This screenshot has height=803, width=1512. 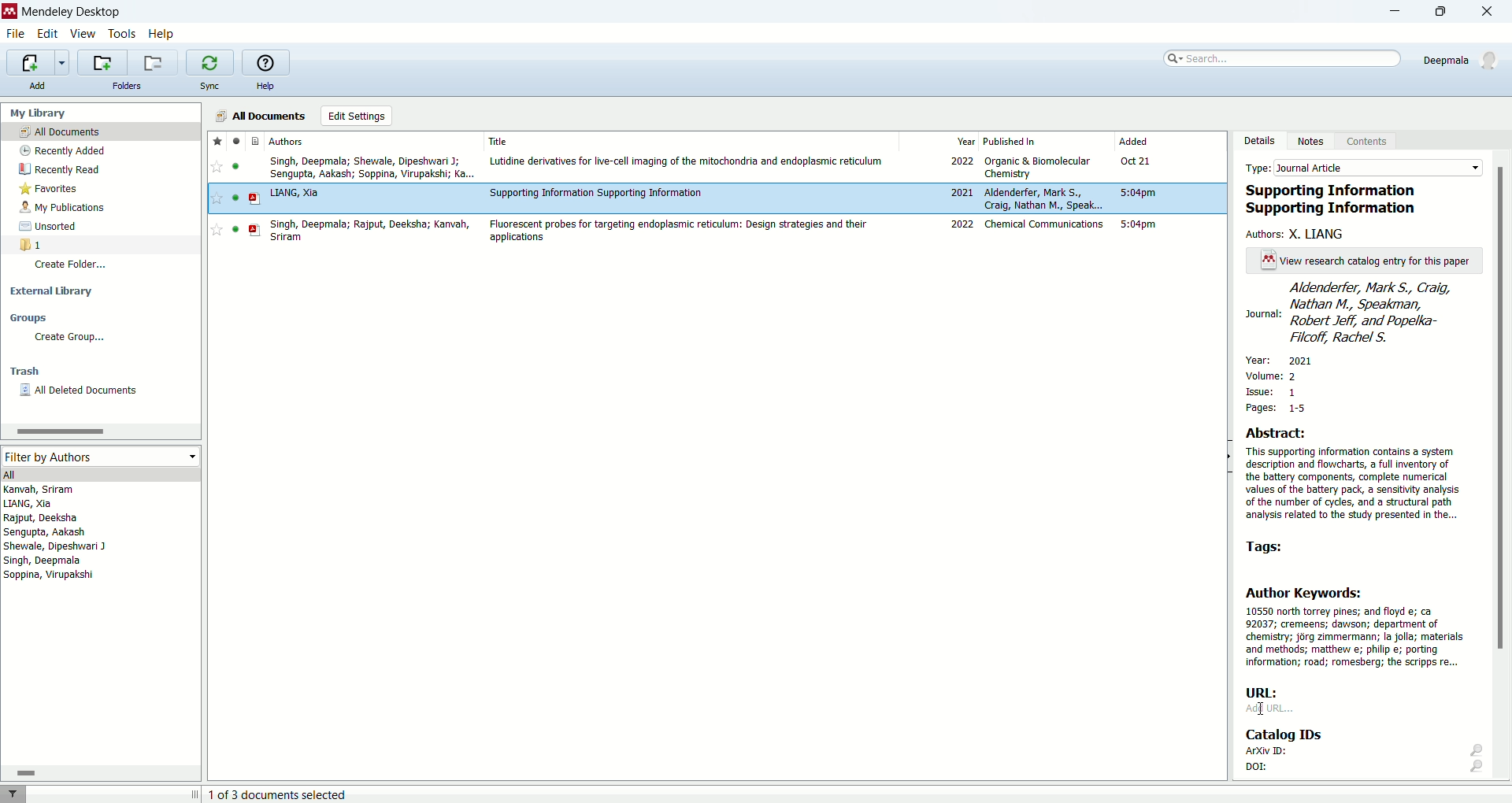 I want to click on horizontal scroll bar, so click(x=99, y=431).